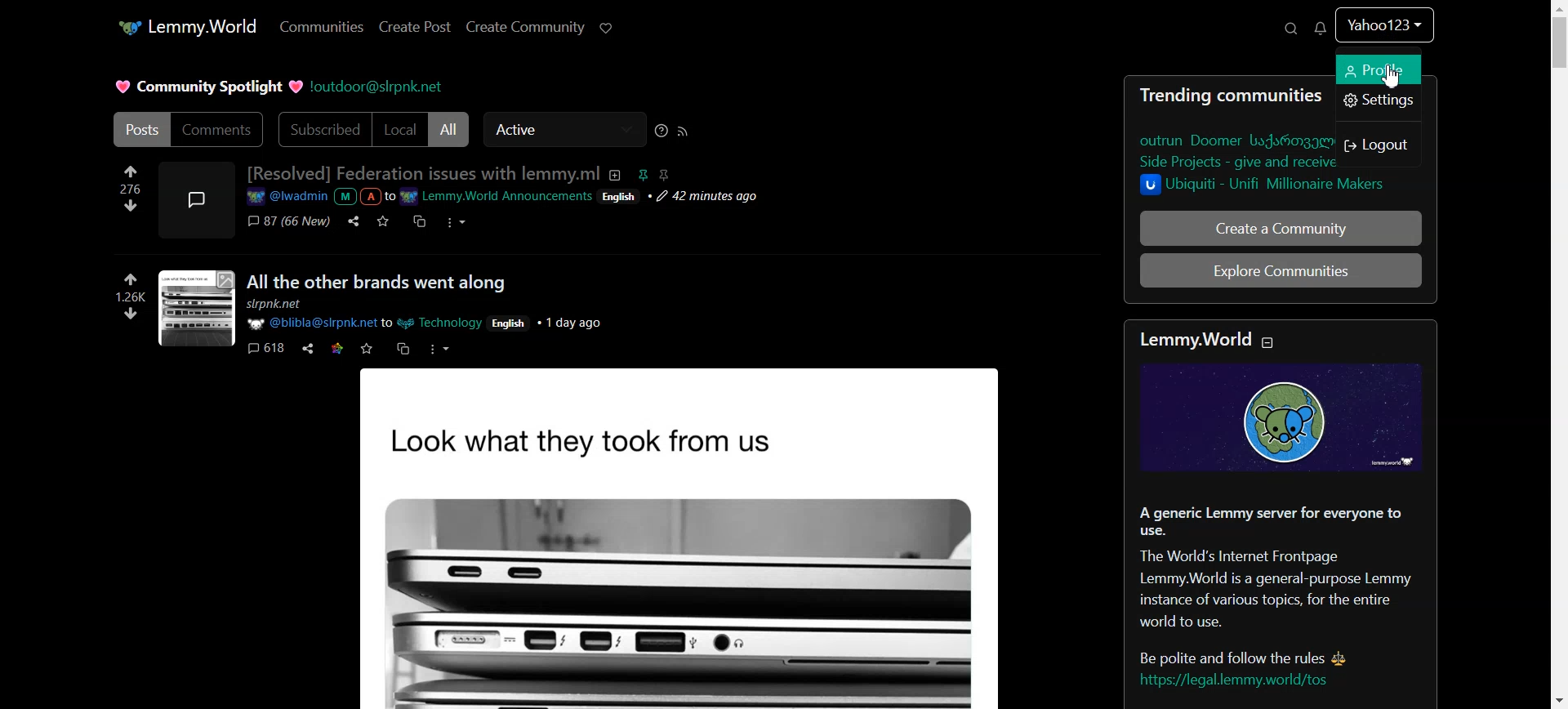 The image size is (1568, 709). I want to click on Create Community, so click(523, 29).